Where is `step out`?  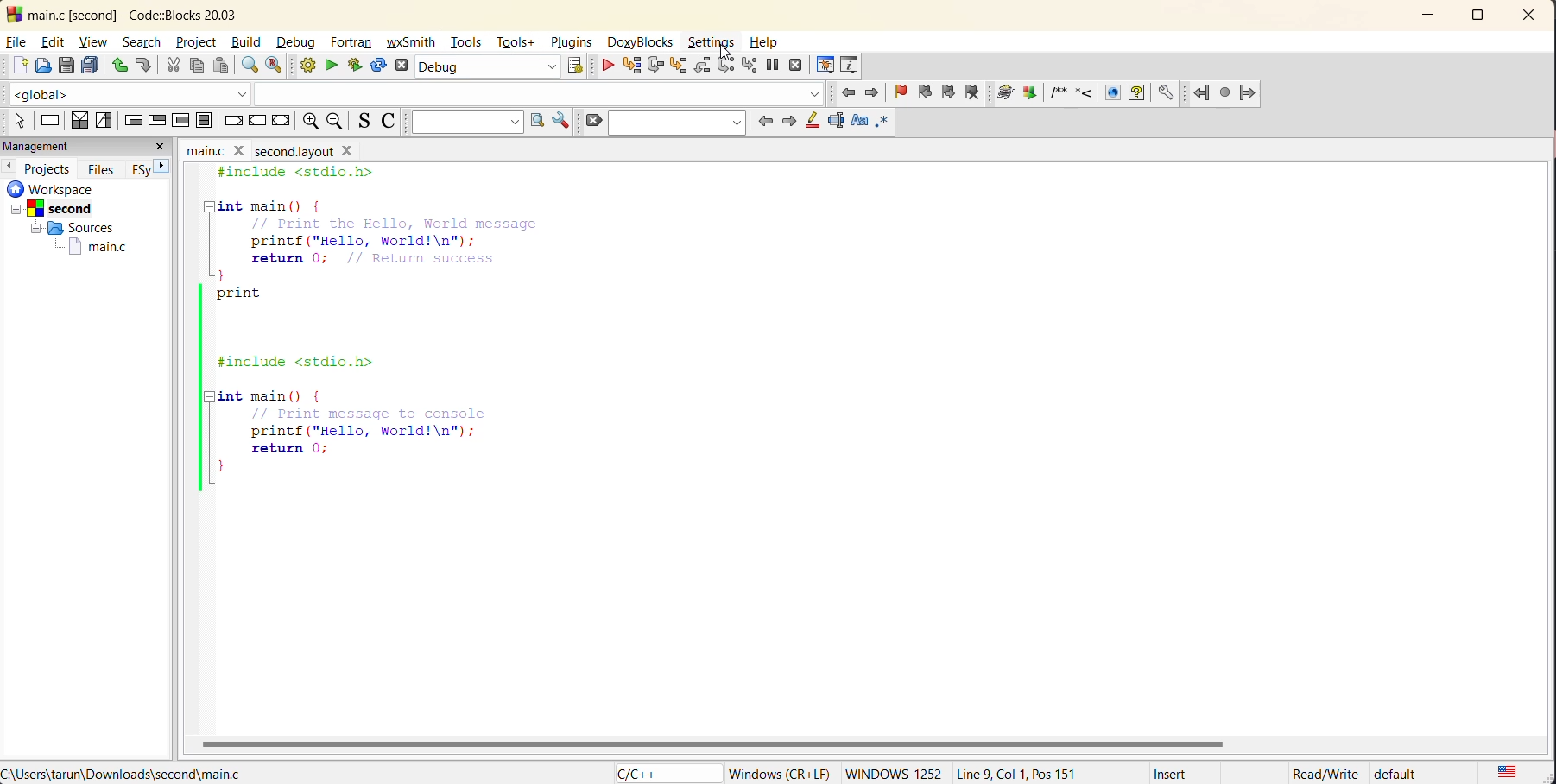 step out is located at coordinates (702, 66).